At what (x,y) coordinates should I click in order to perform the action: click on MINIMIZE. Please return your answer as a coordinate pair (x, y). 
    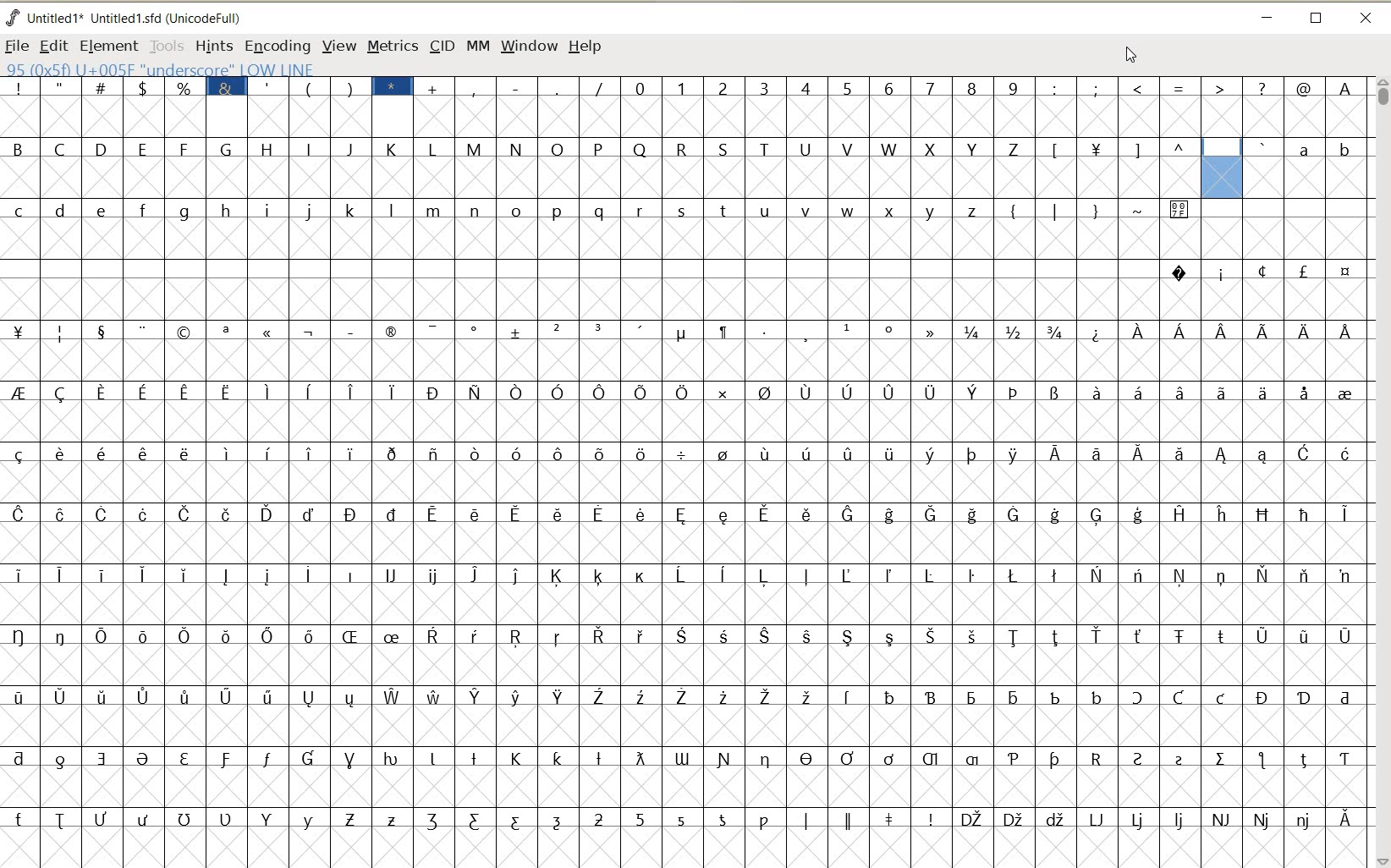
    Looking at the image, I should click on (1266, 15).